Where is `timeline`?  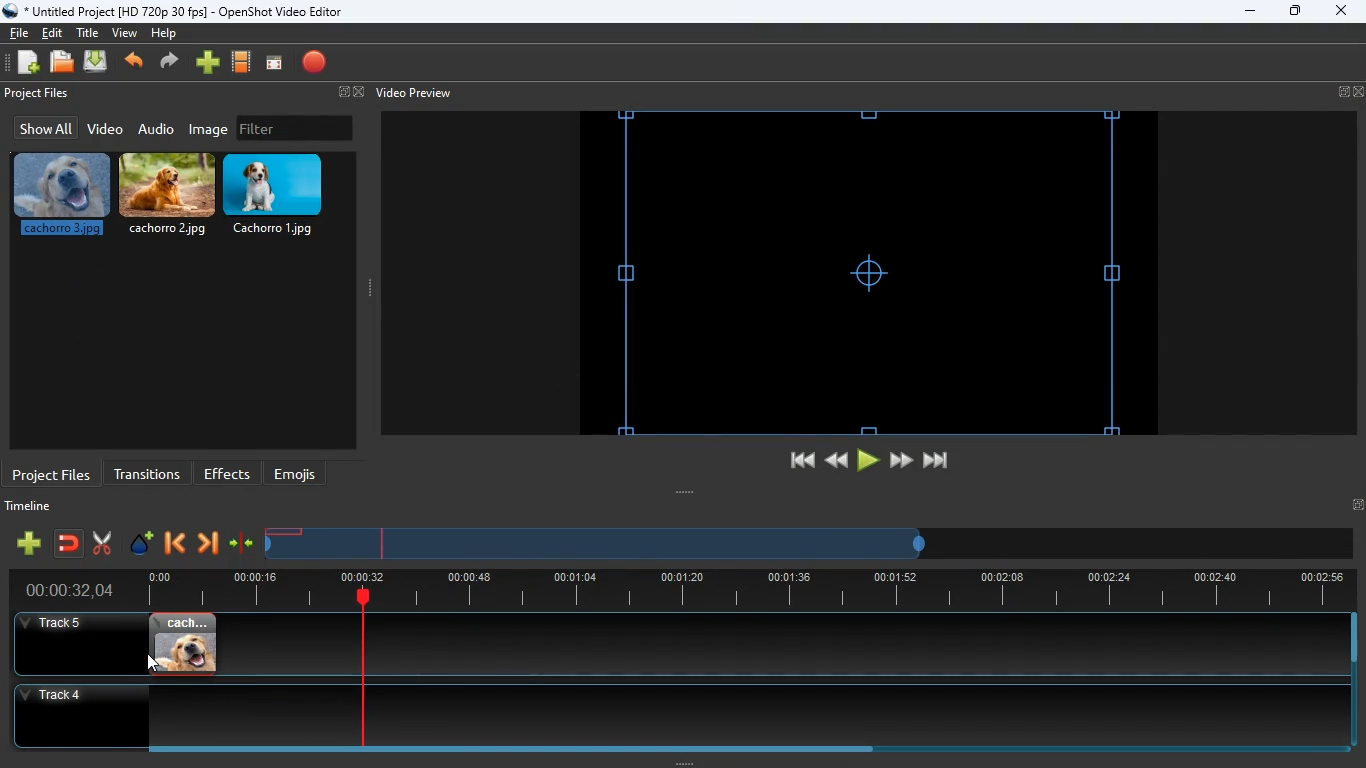 timeline is located at coordinates (598, 551).